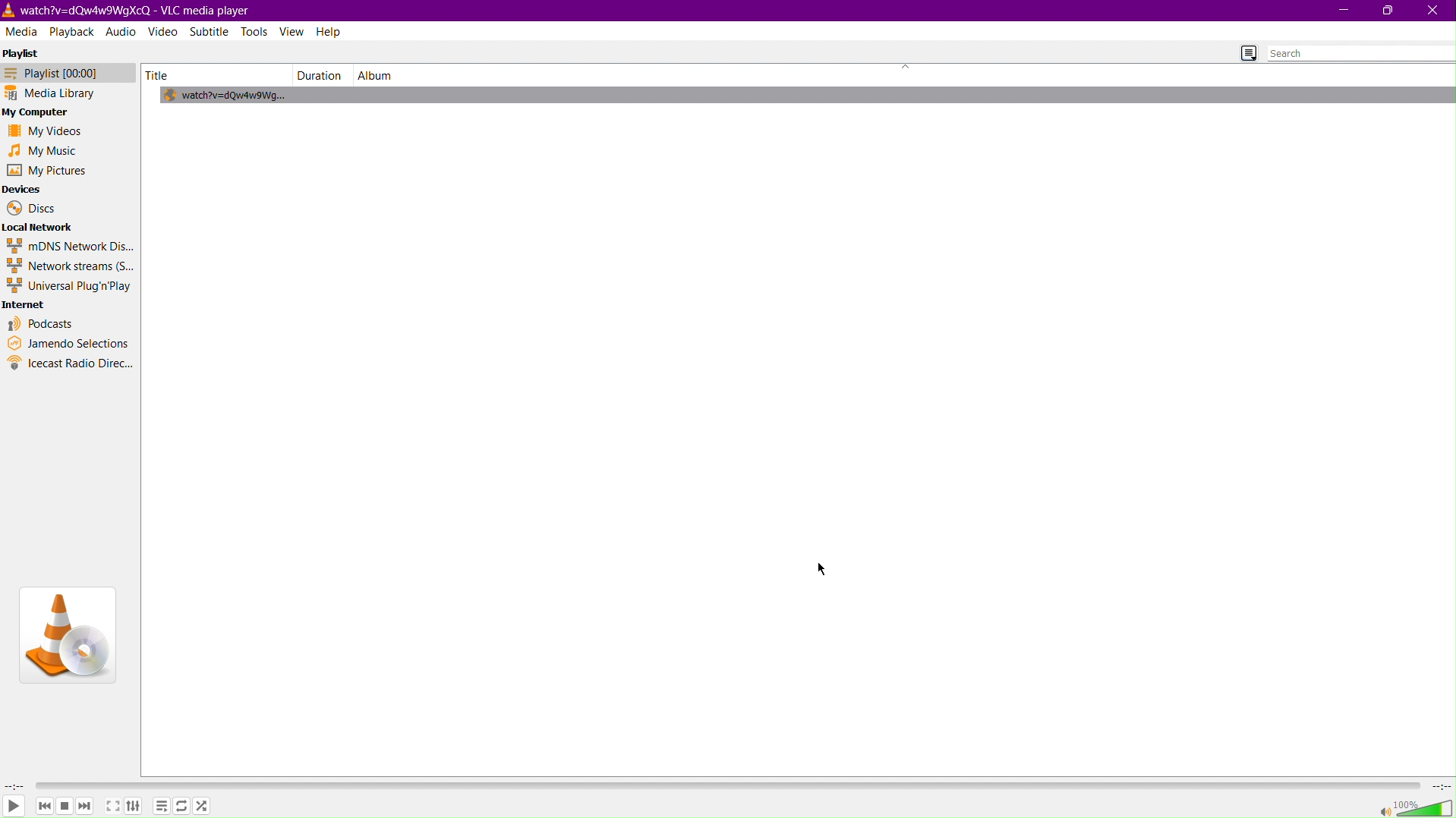  I want to click on Fullscreen, so click(113, 806).